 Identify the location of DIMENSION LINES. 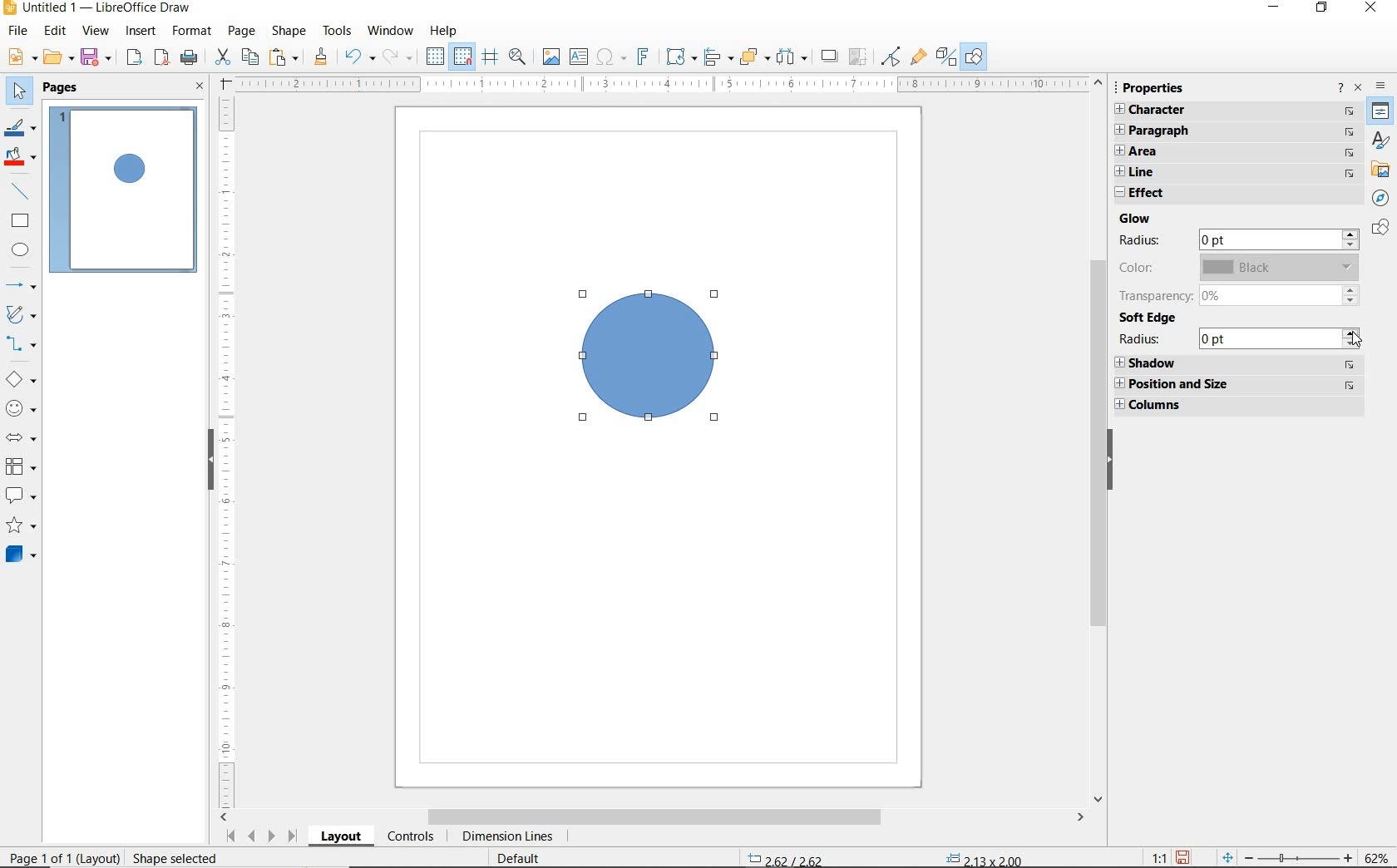
(511, 836).